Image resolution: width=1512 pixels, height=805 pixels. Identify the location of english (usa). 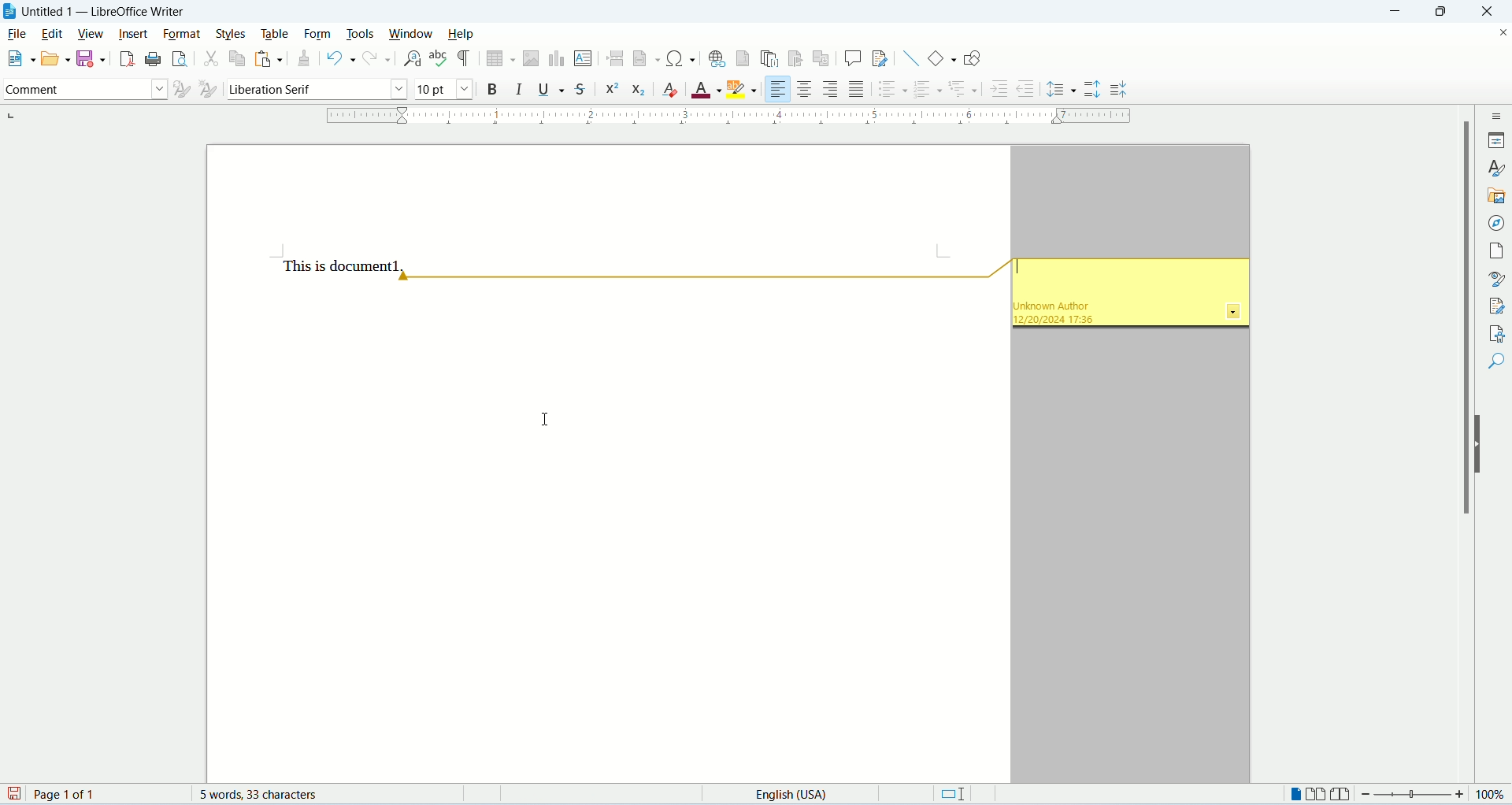
(797, 795).